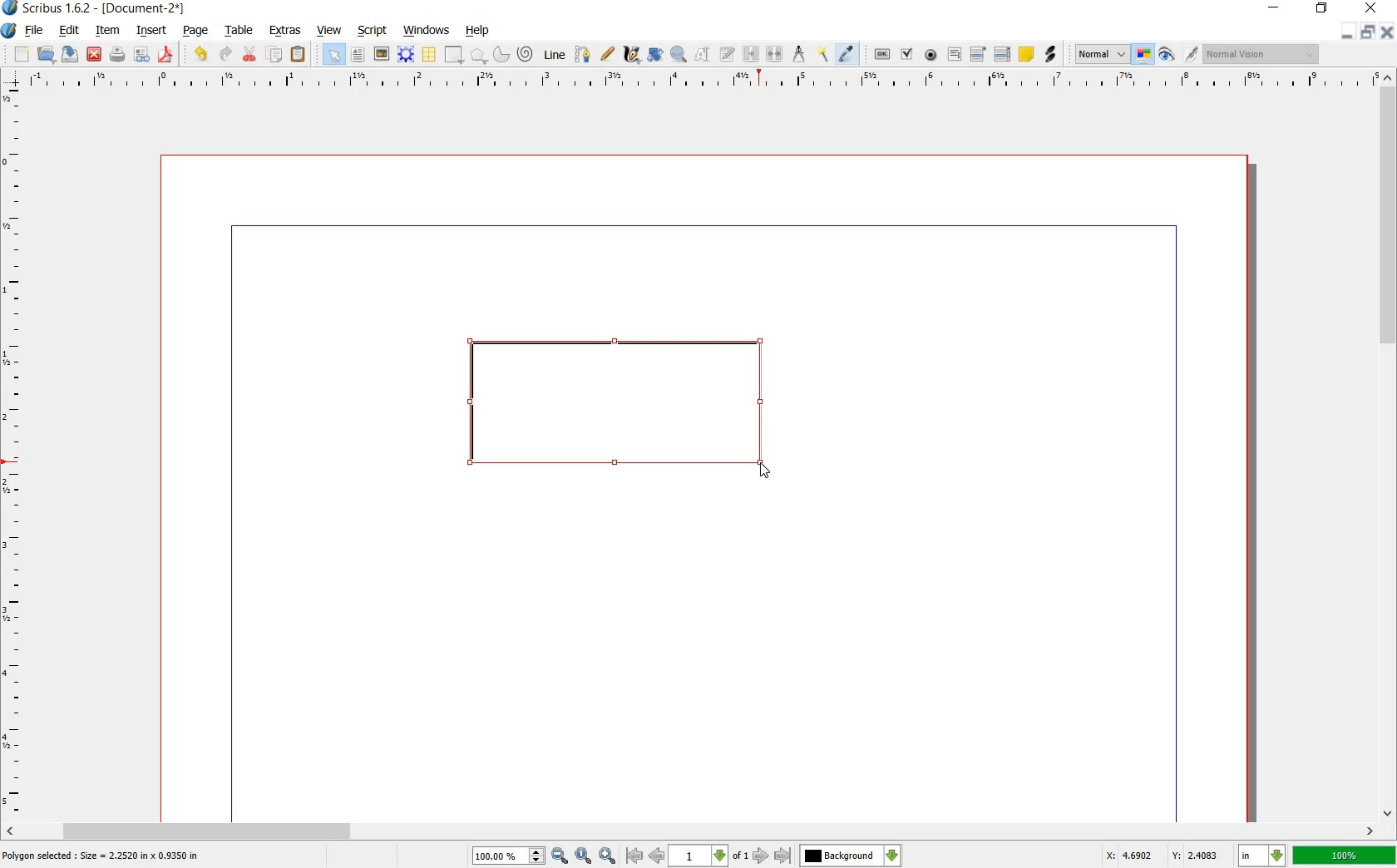 Image resolution: width=1397 pixels, height=868 pixels. I want to click on WINDOWS, so click(427, 31).